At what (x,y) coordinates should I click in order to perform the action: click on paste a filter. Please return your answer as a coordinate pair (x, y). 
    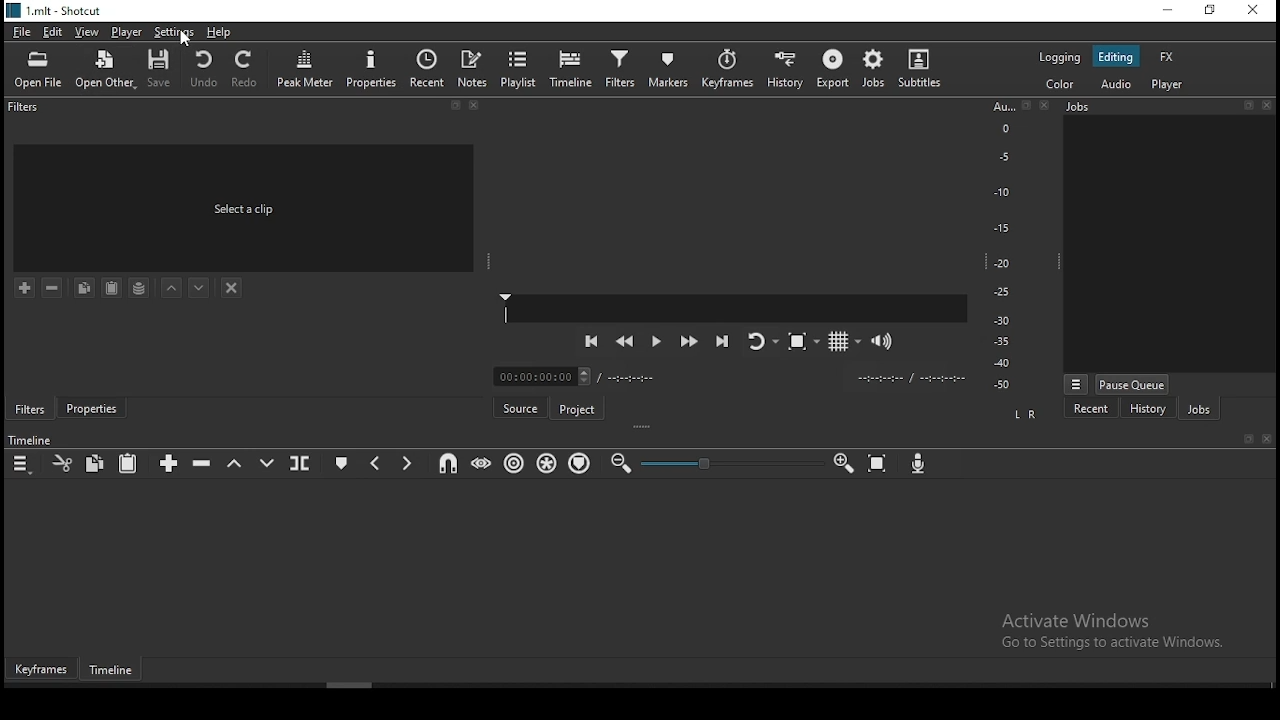
    Looking at the image, I should click on (113, 287).